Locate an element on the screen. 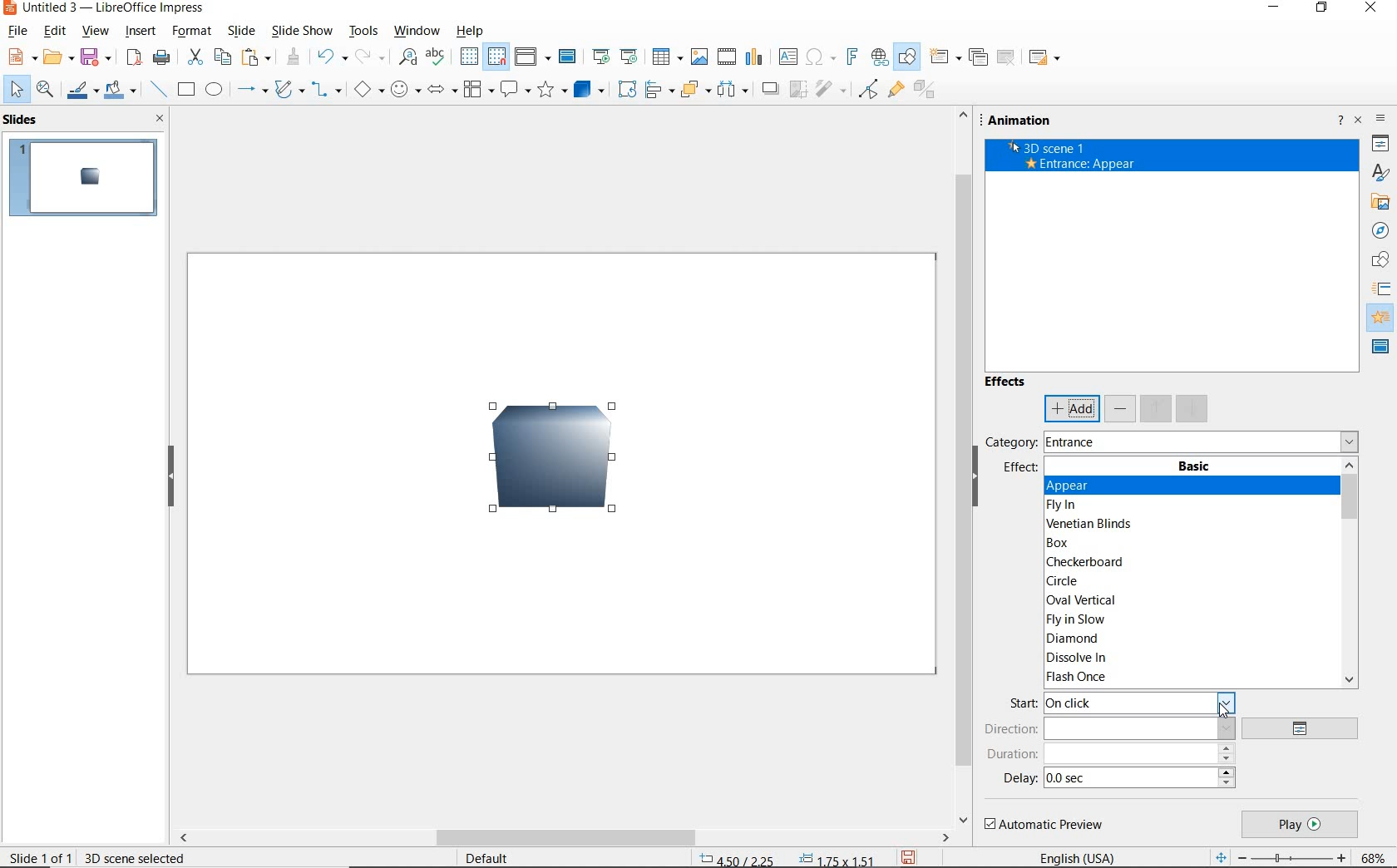 The width and height of the screenshot is (1397, 868). STYLES is located at coordinates (1380, 173).